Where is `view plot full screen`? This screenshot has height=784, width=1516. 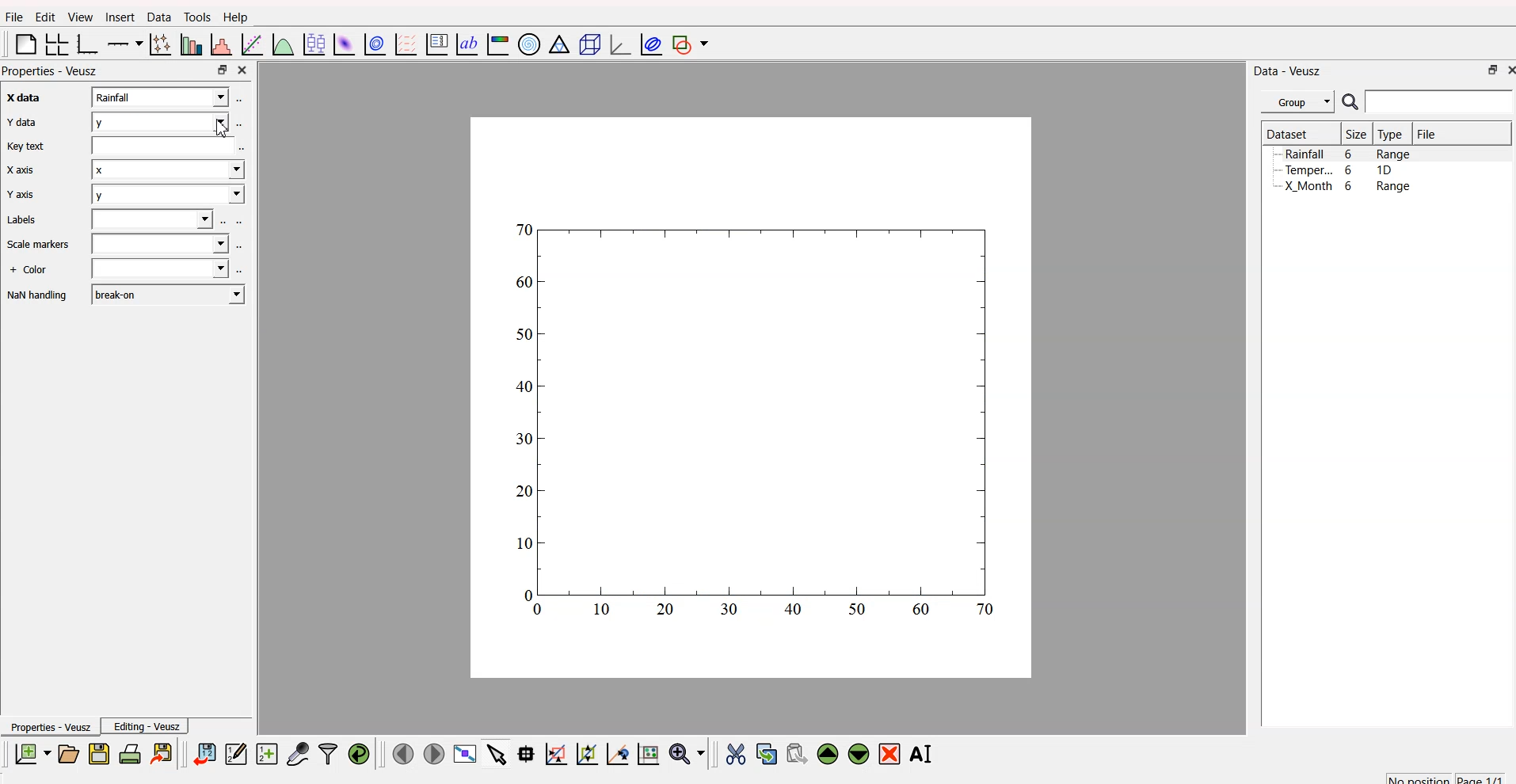
view plot full screen is located at coordinates (465, 754).